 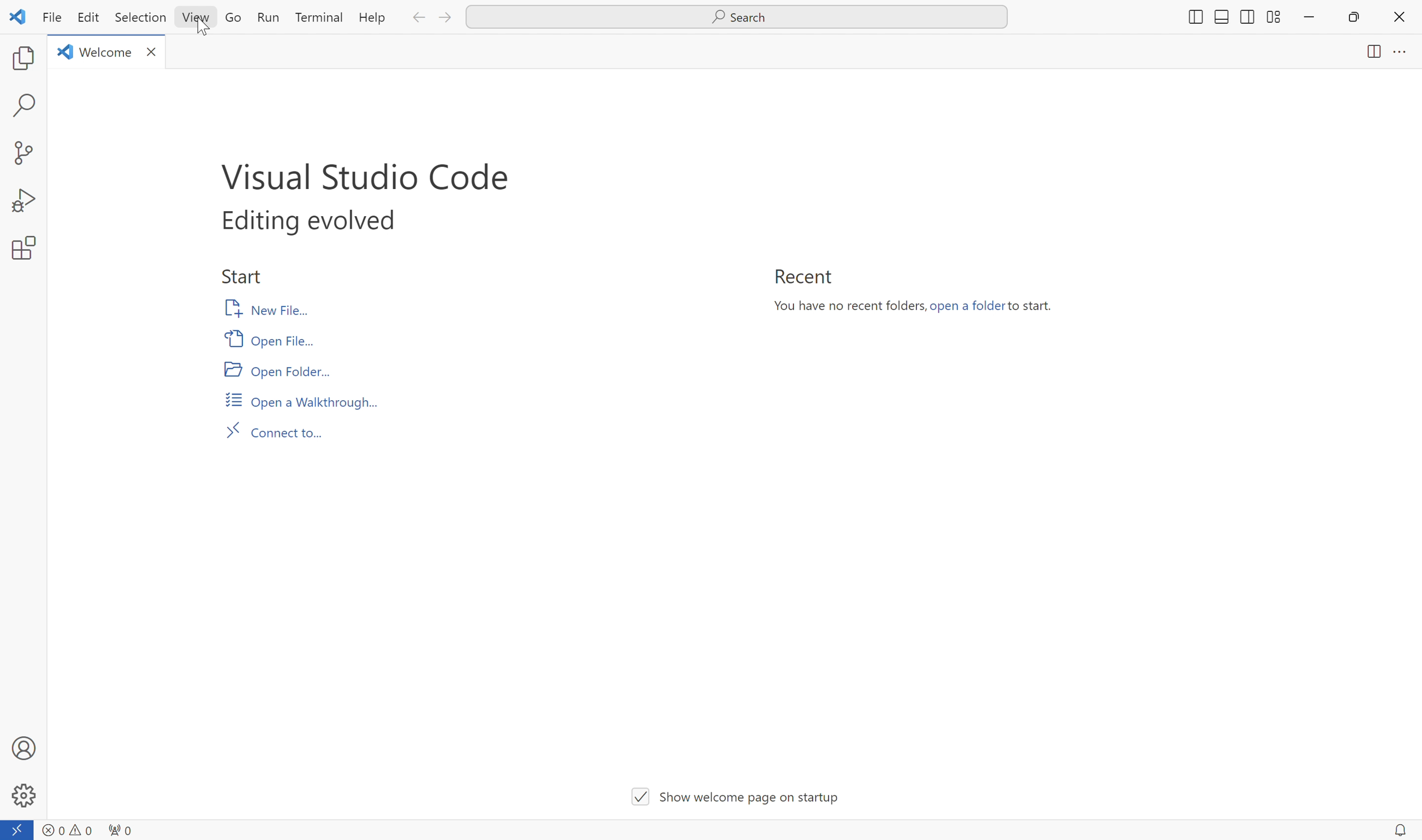 I want to click on cursor, so click(x=204, y=34).